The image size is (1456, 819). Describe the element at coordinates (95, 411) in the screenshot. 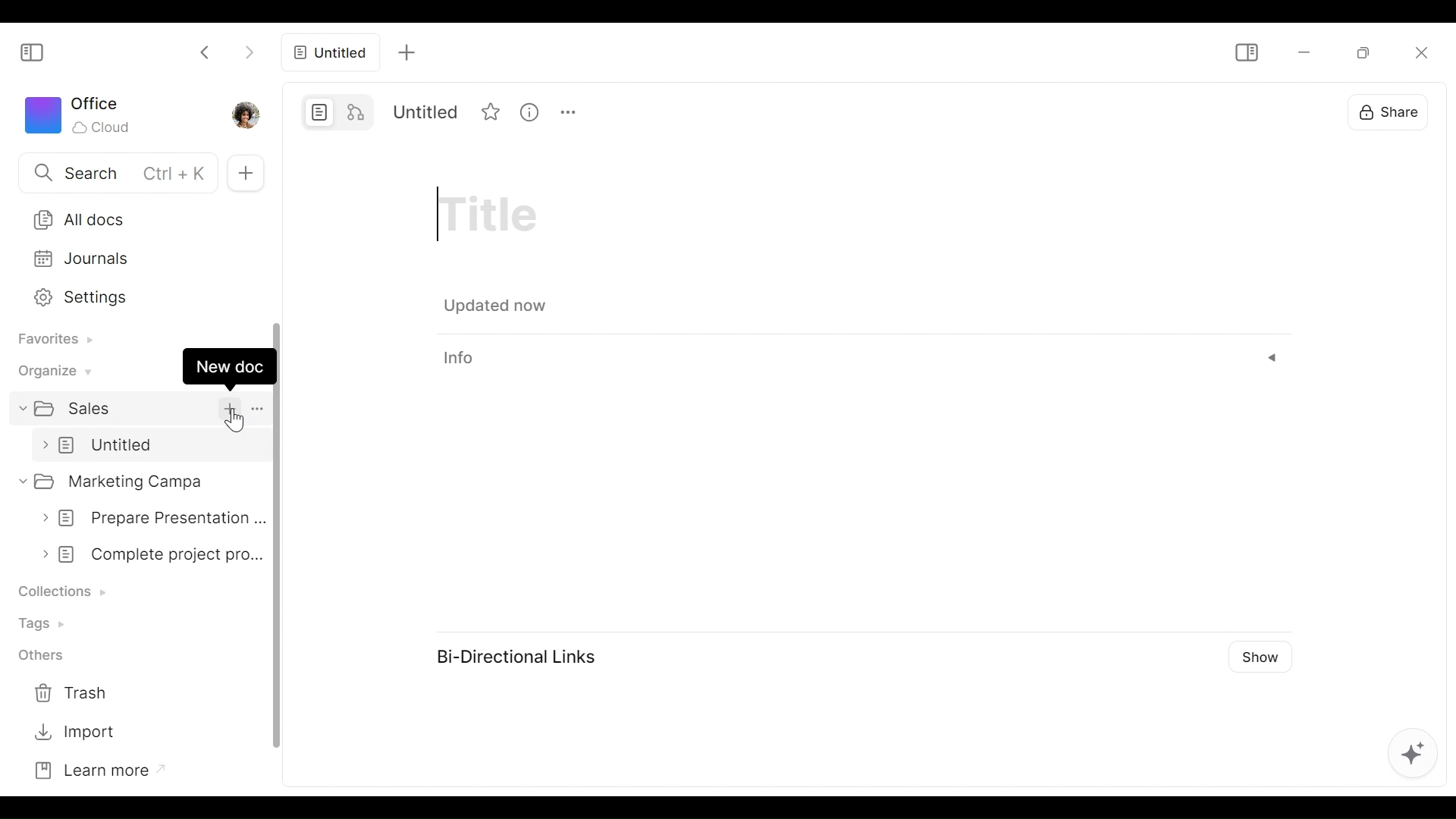

I see `sales` at that location.